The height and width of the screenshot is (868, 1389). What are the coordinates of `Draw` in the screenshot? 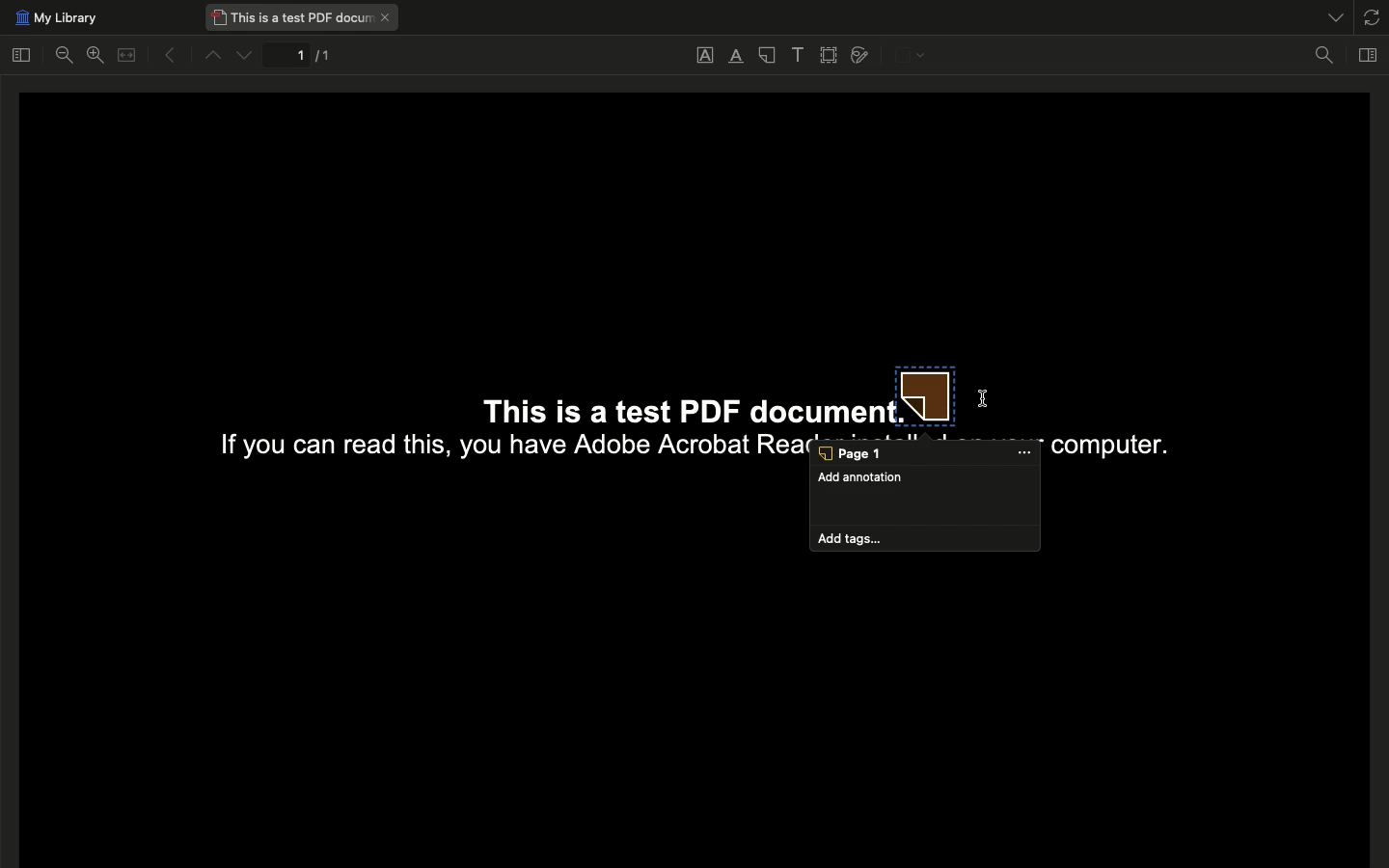 It's located at (860, 54).